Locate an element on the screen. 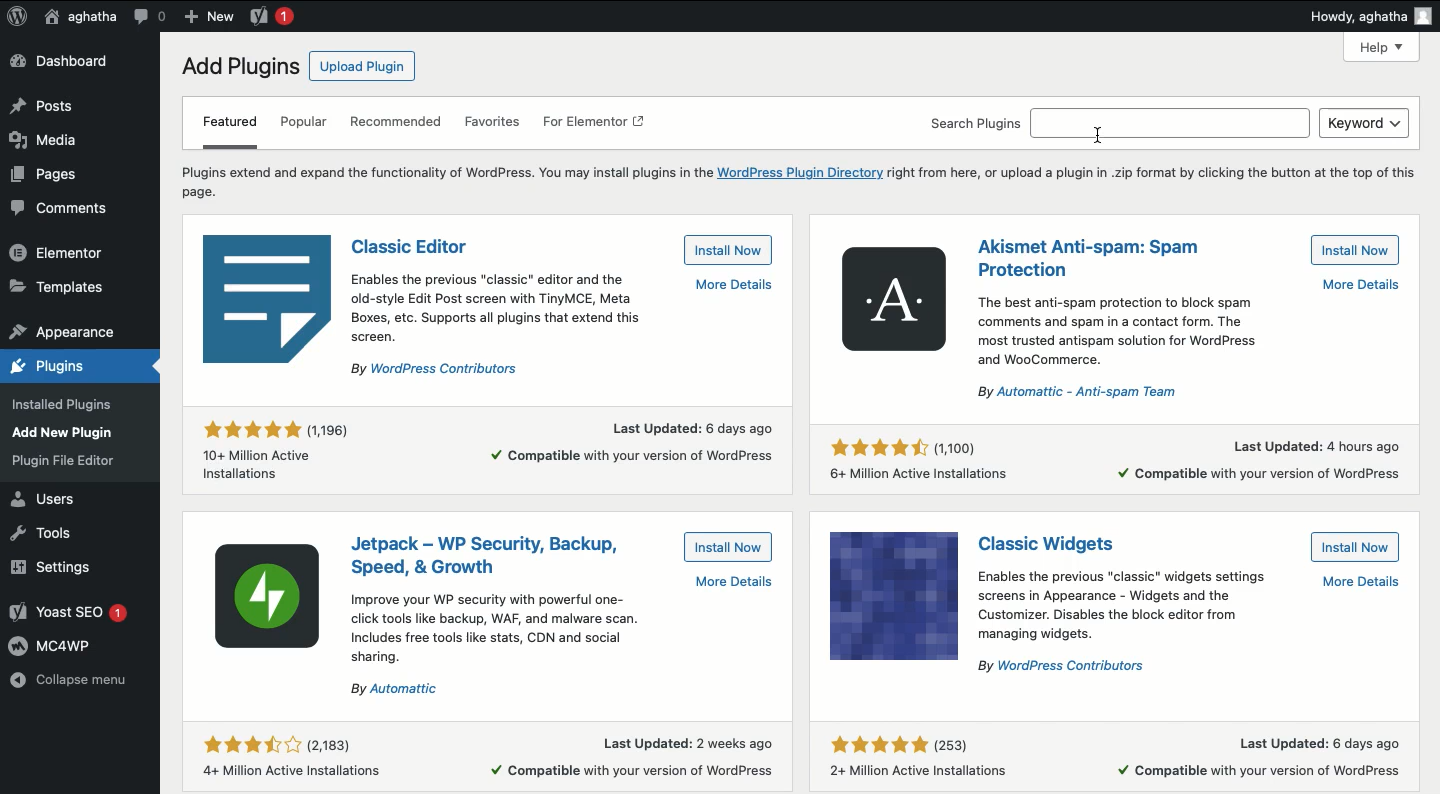  Plugins is located at coordinates (59, 463).